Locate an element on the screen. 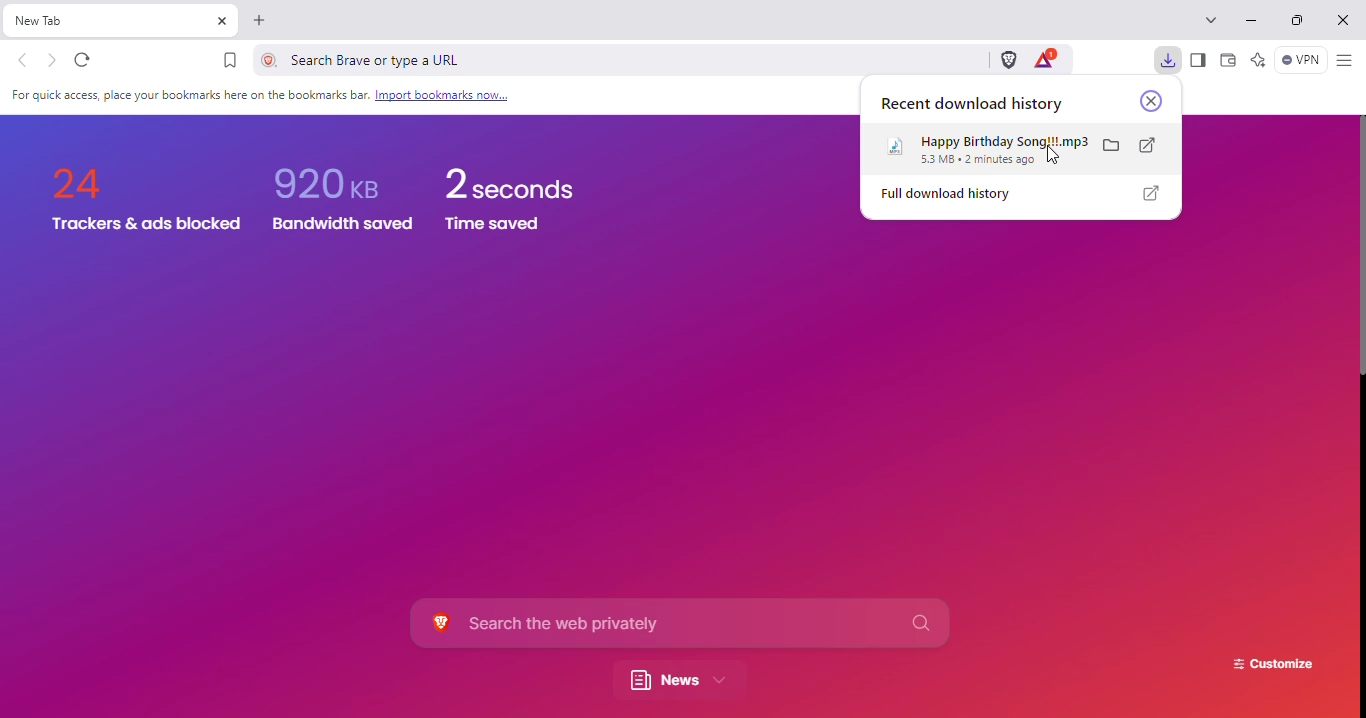 The image size is (1366, 718). downloads is located at coordinates (1168, 61).